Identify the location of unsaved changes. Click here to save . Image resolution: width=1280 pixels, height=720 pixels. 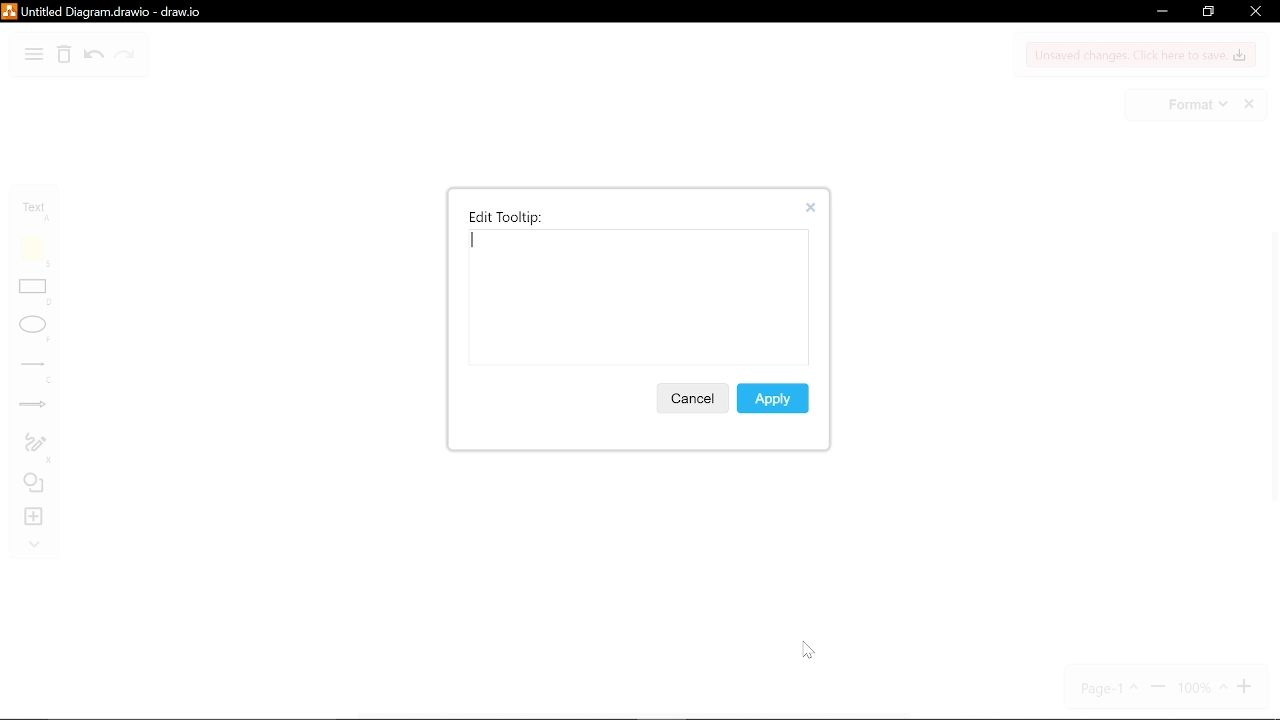
(1142, 55).